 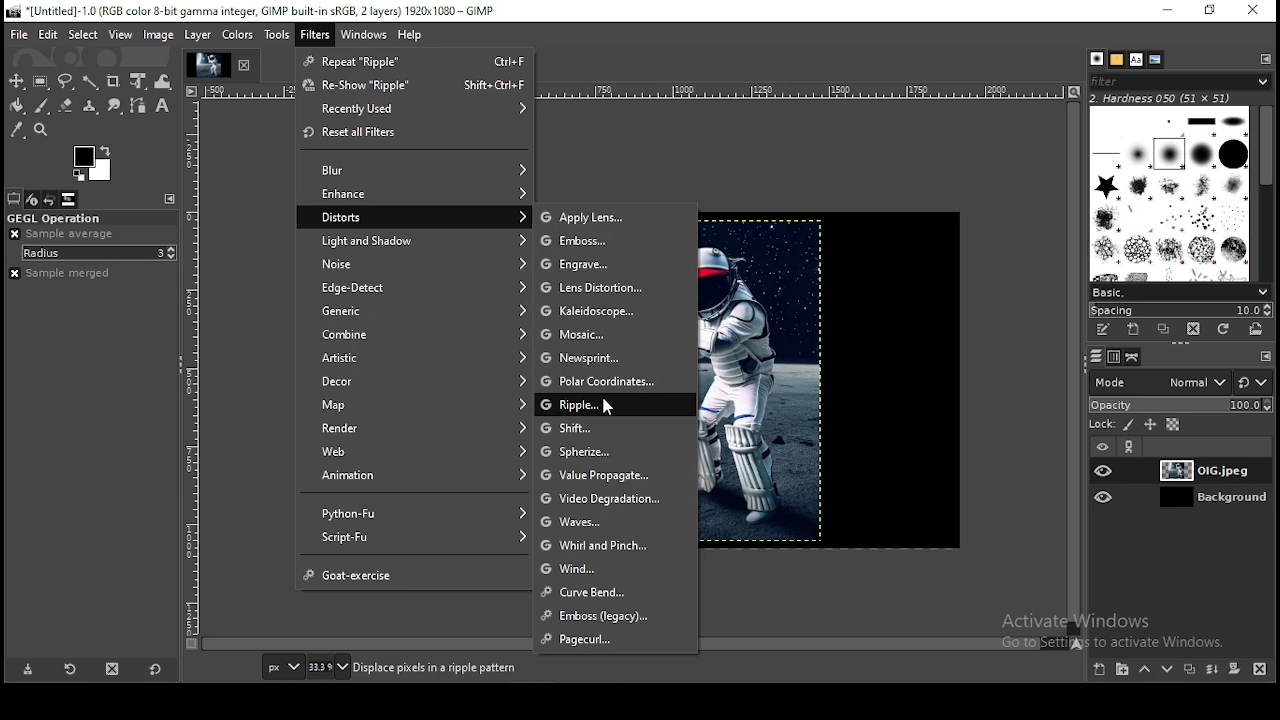 What do you see at coordinates (602, 358) in the screenshot?
I see `newsprint` at bounding box center [602, 358].